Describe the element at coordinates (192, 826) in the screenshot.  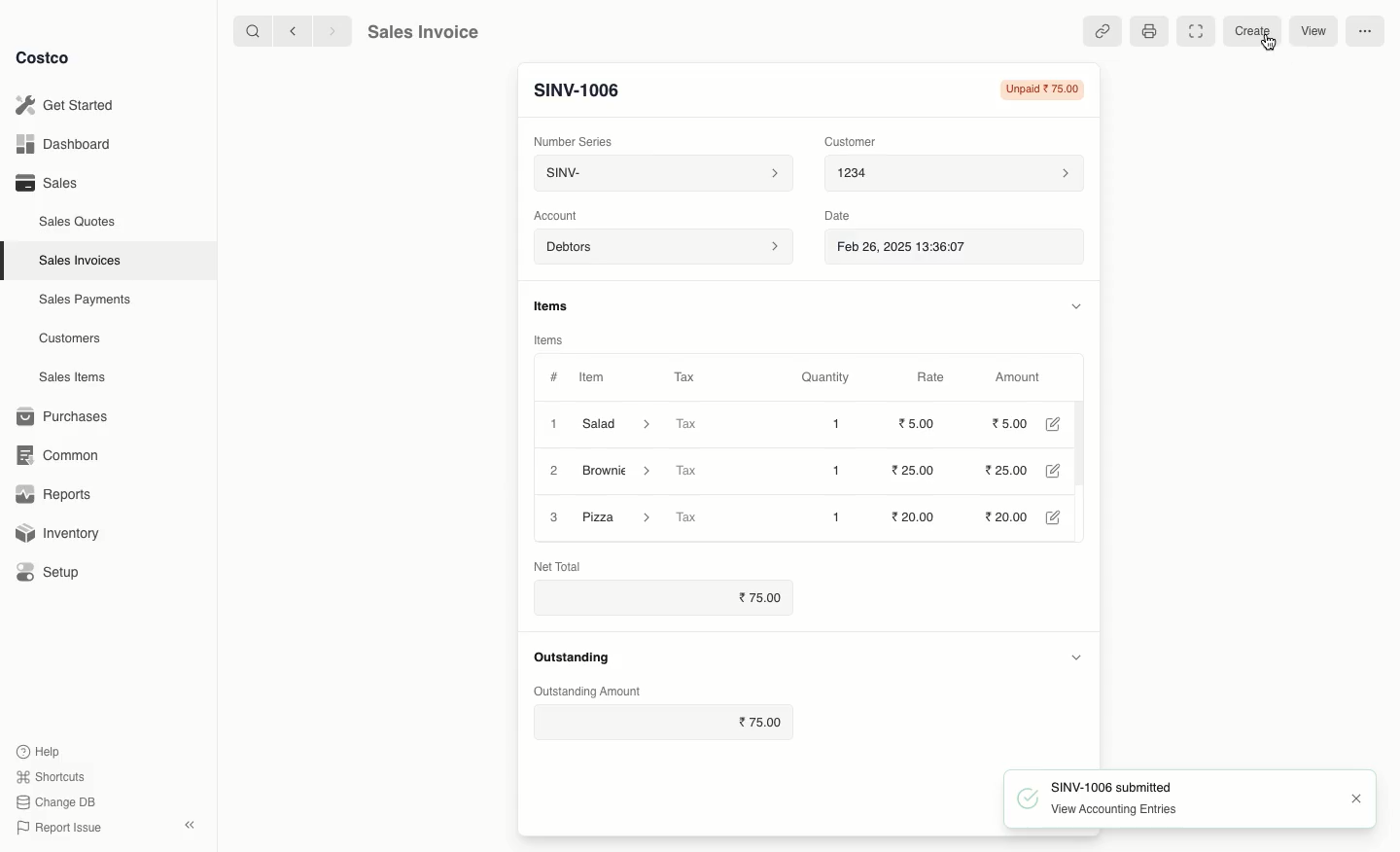
I see `Collapse` at that location.